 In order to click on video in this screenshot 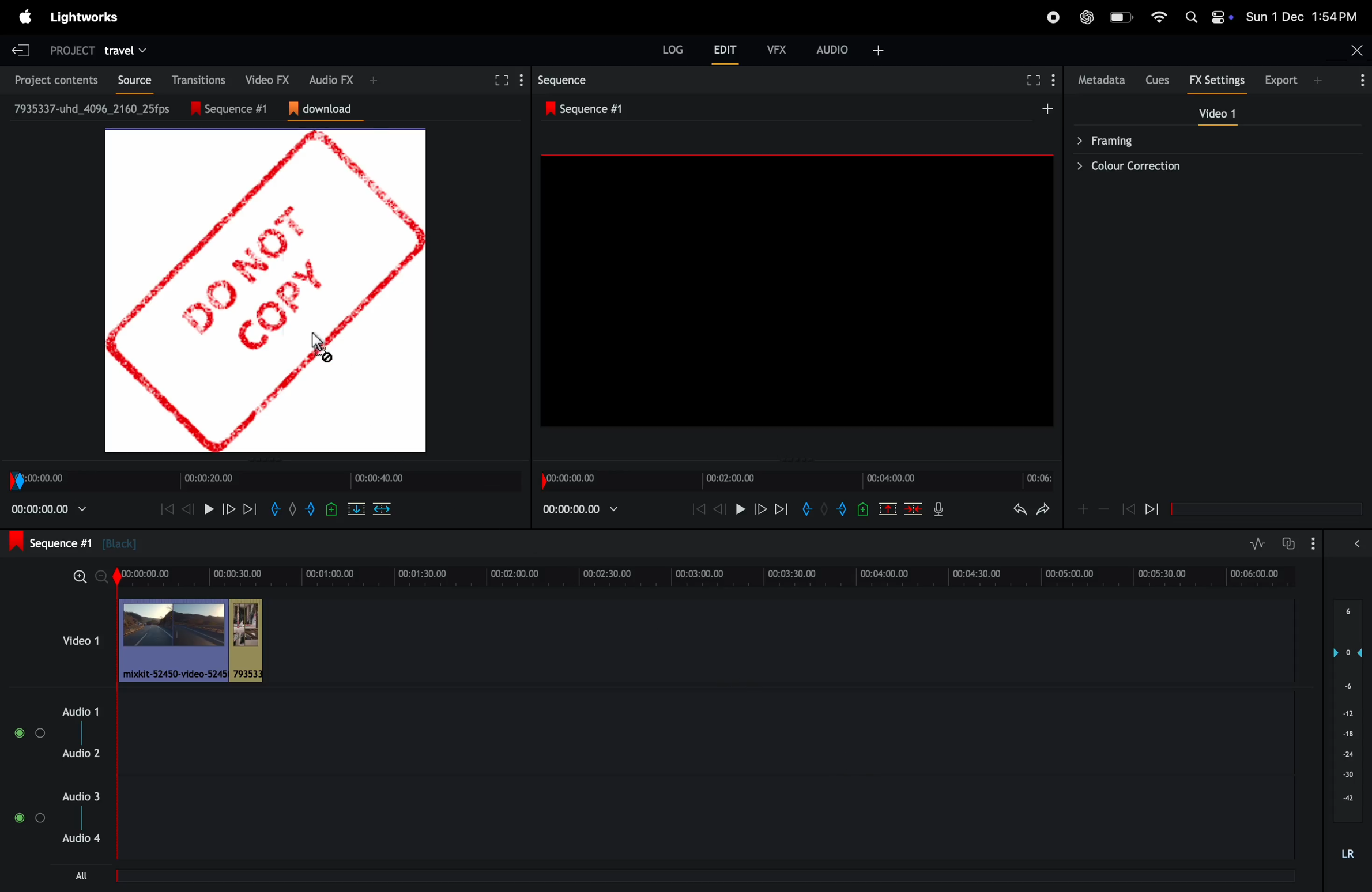, I will do `click(1217, 113)`.